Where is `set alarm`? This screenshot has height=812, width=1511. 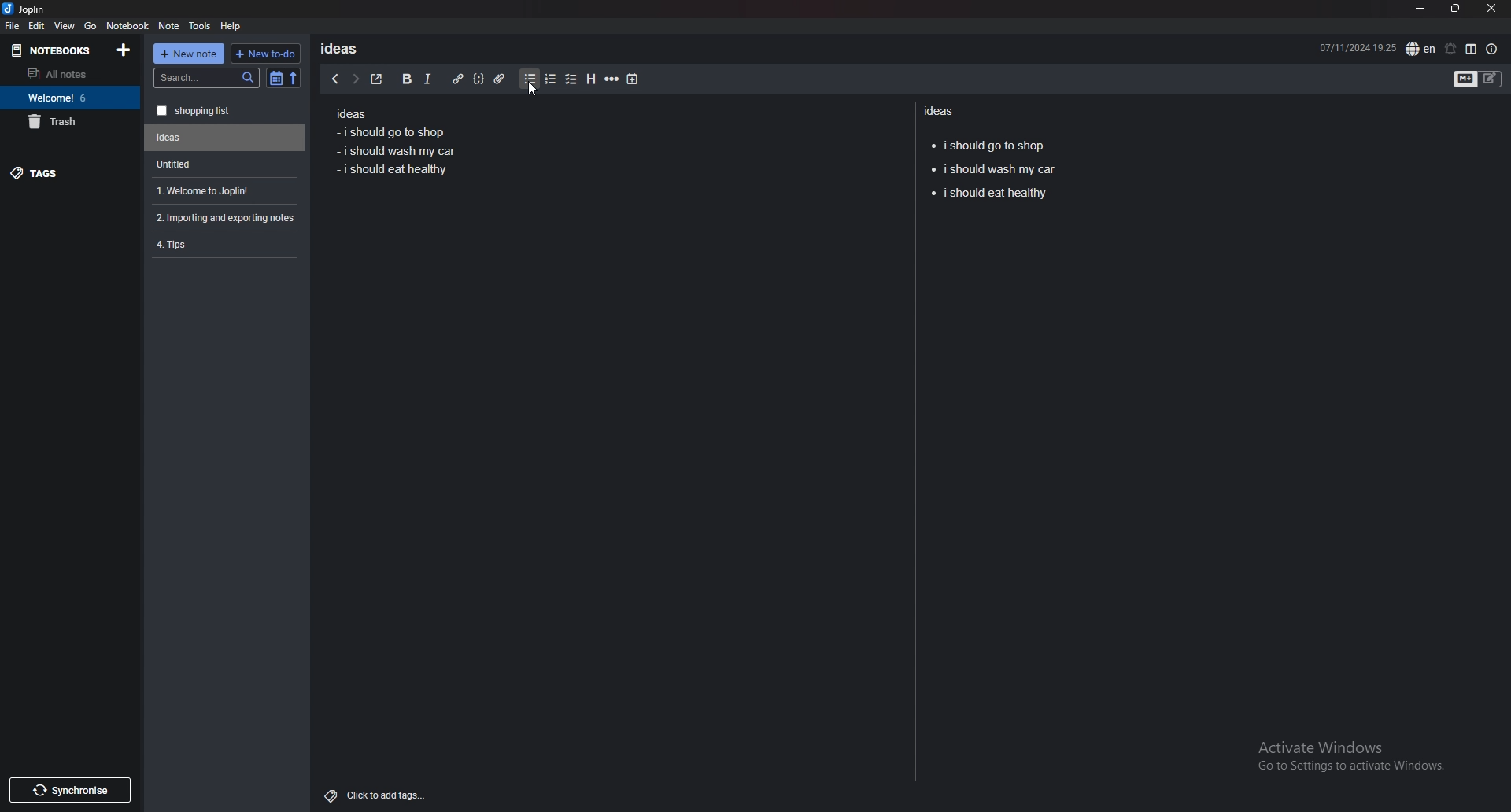 set alarm is located at coordinates (1450, 49).